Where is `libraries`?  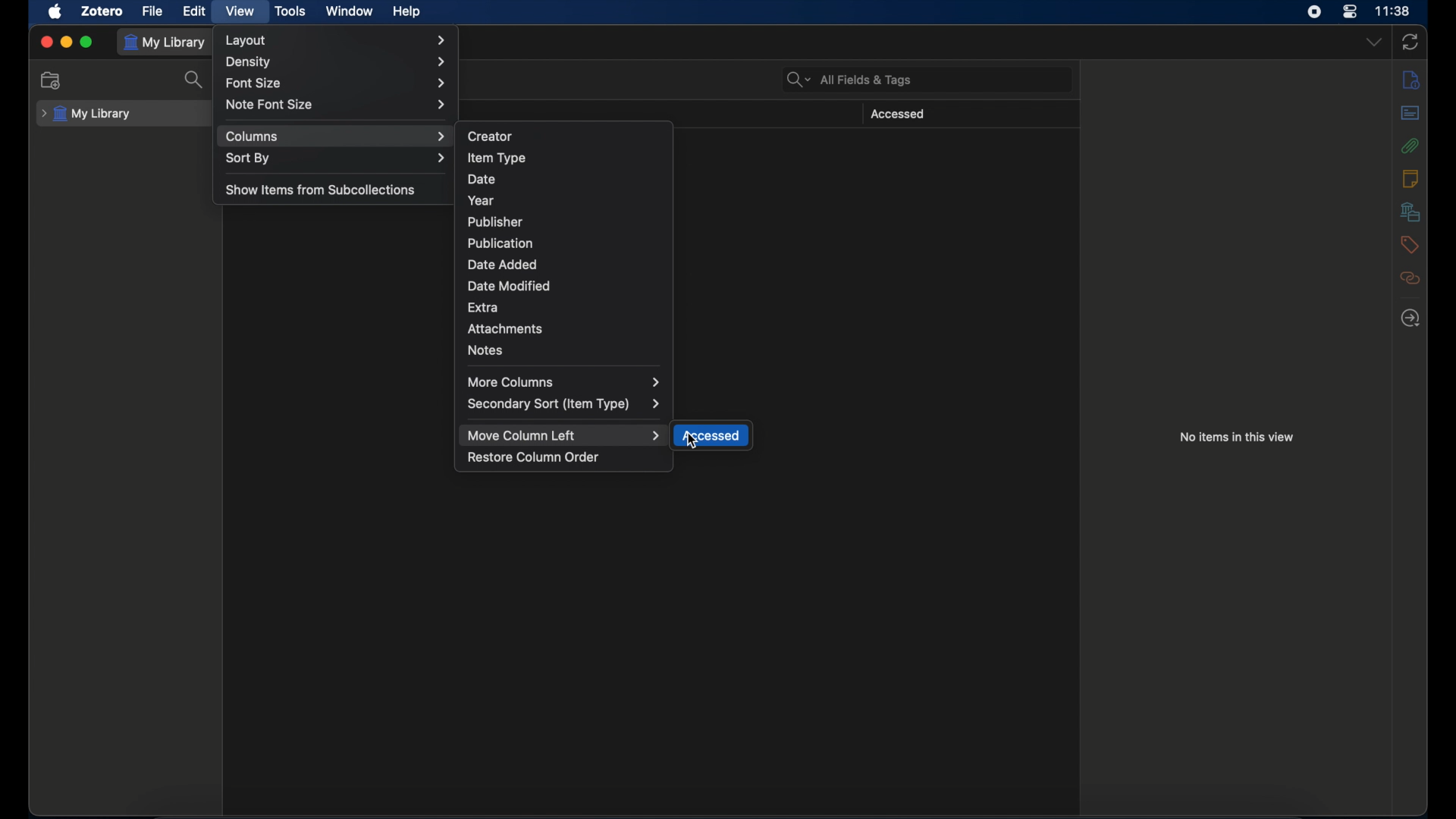
libraries is located at coordinates (1410, 211).